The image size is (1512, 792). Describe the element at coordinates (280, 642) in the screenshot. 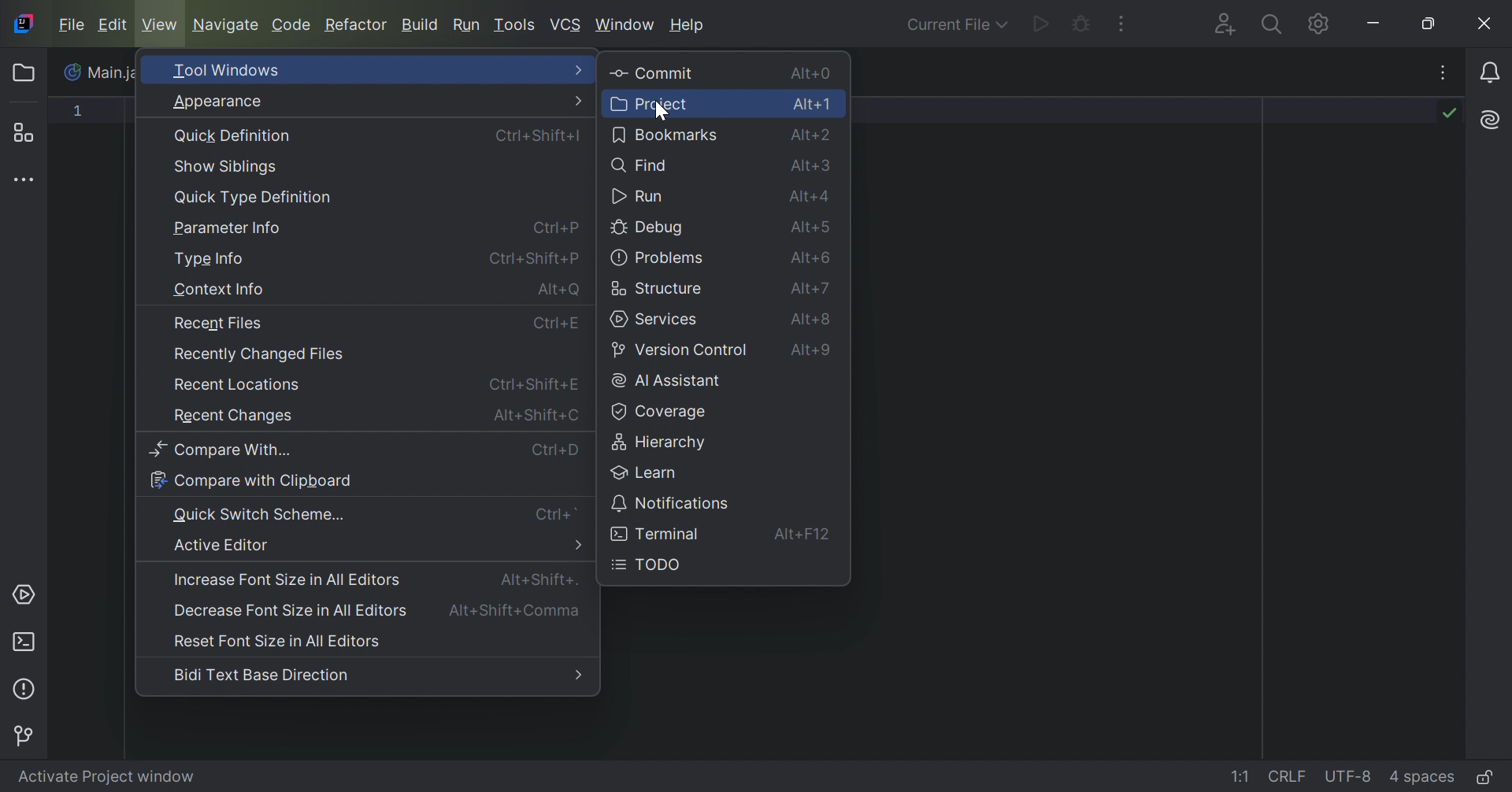

I see `Reset Font Size in All Editors` at that location.